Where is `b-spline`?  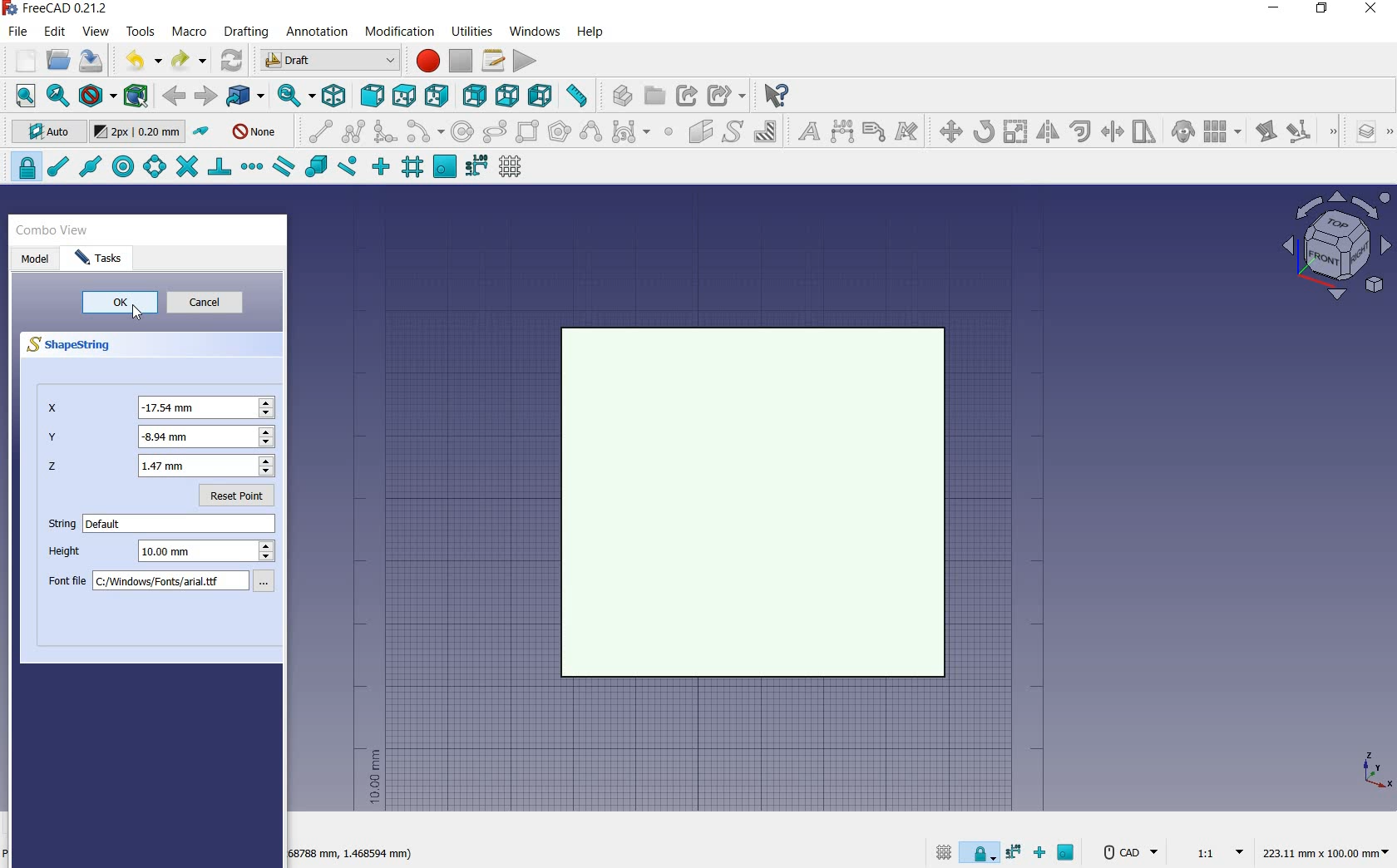
b-spline is located at coordinates (590, 133).